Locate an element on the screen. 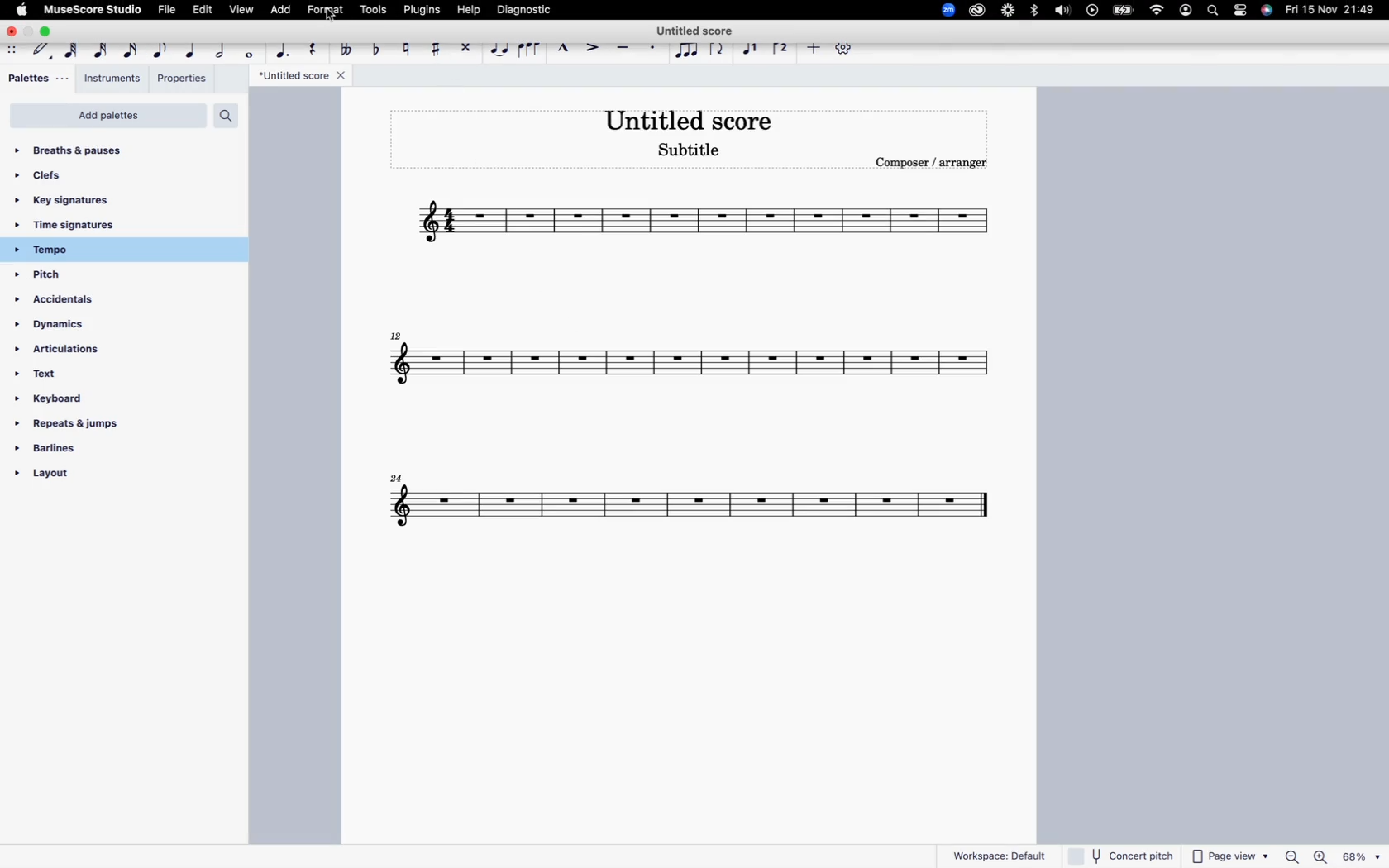  marcato is located at coordinates (566, 48).